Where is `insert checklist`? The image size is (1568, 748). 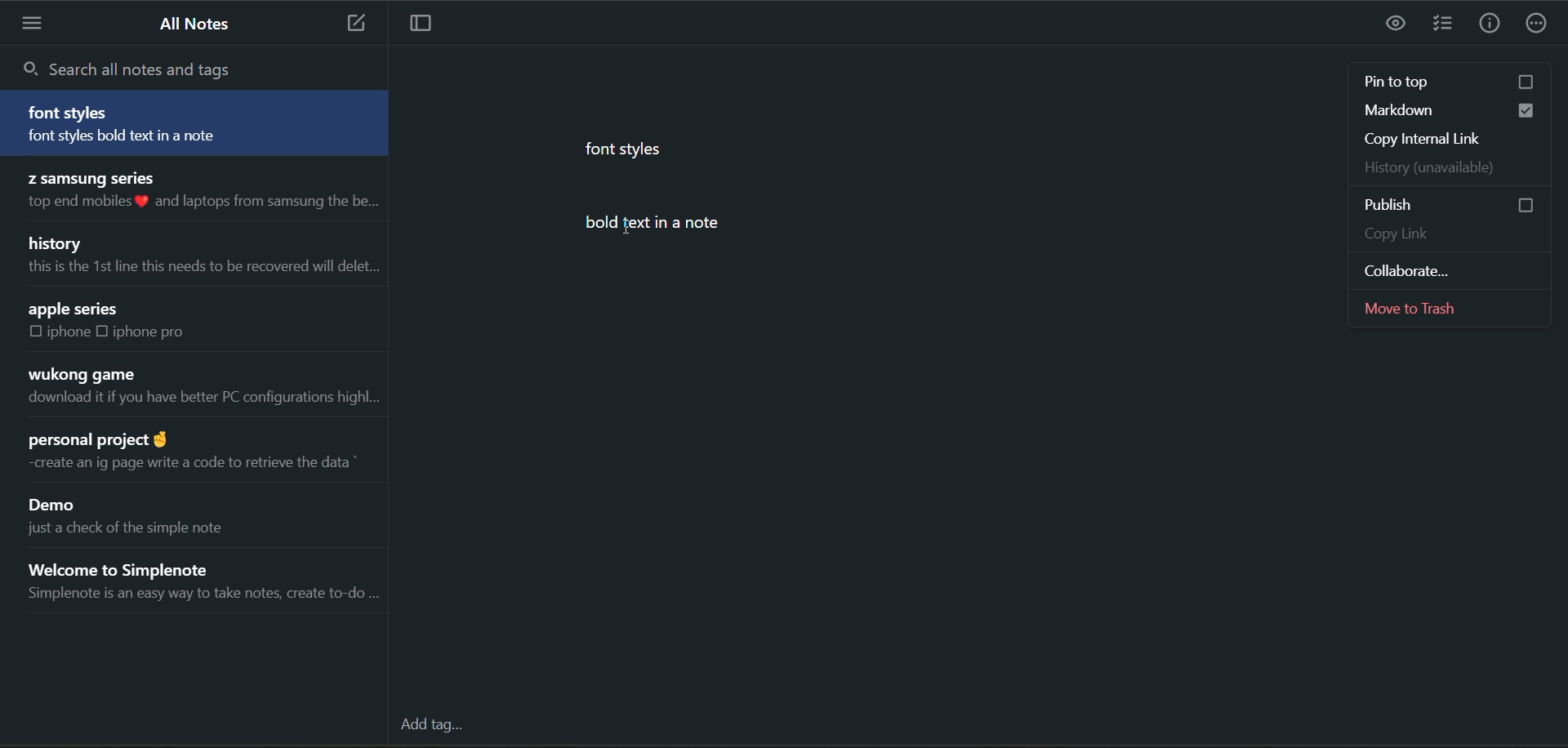 insert checklist is located at coordinates (1443, 25).